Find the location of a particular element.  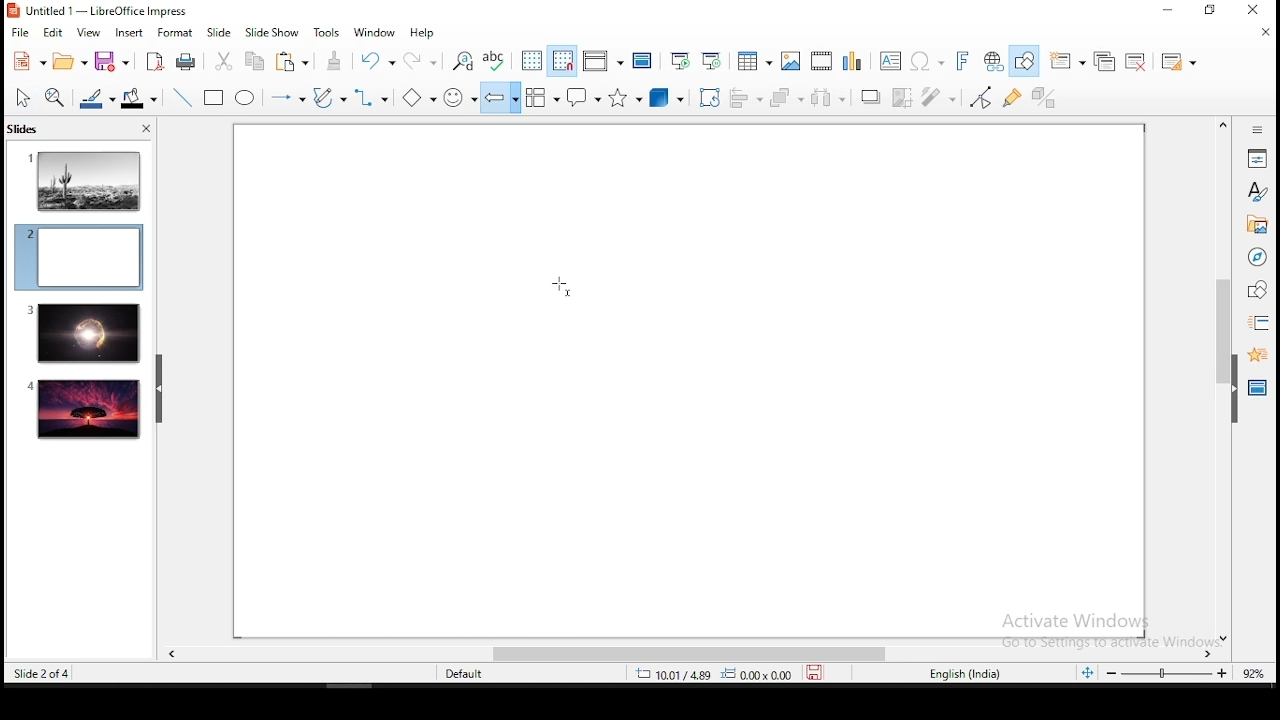

toggle point edit mode is located at coordinates (981, 99).